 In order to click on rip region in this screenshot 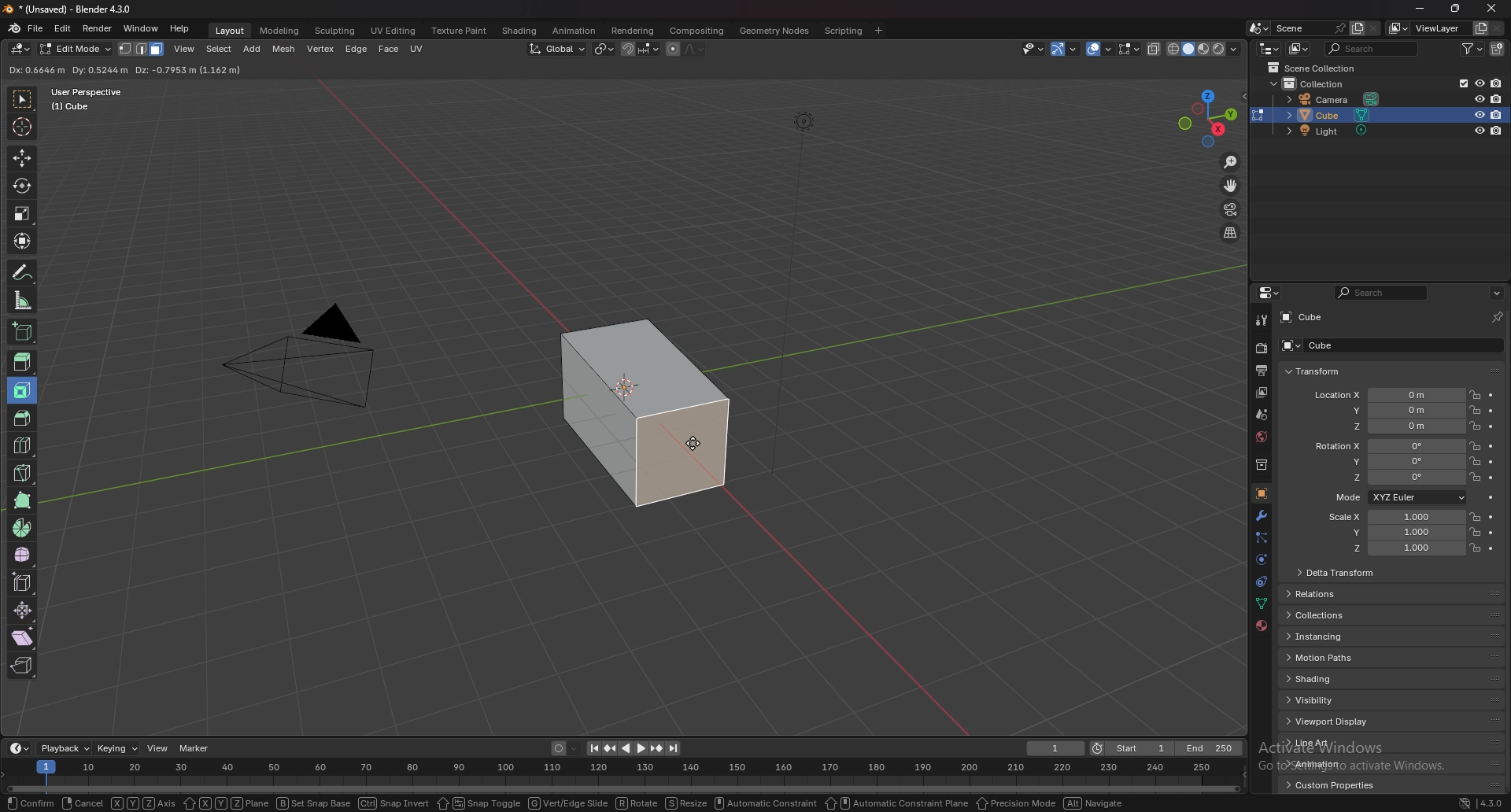, I will do `click(21, 666)`.